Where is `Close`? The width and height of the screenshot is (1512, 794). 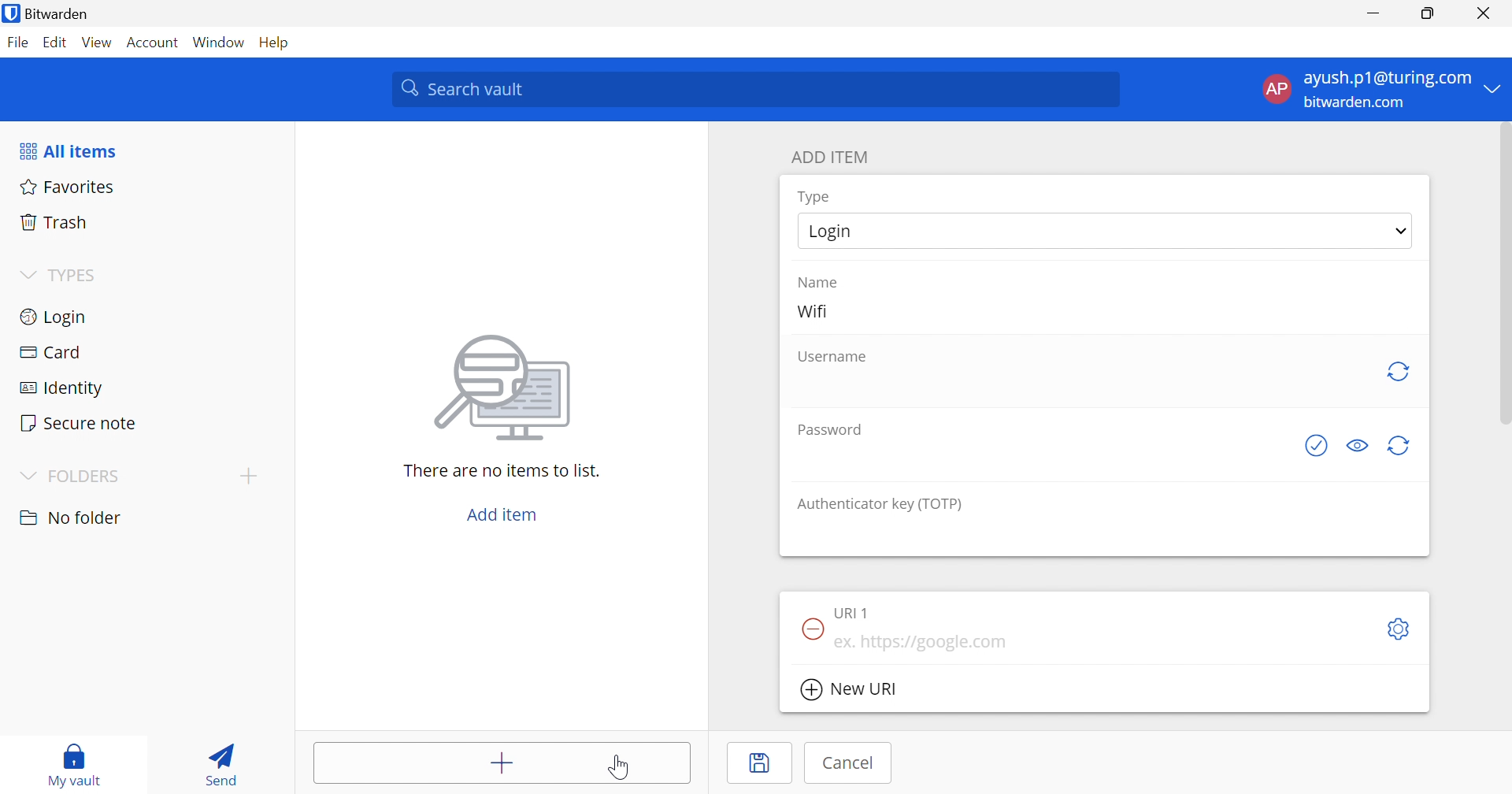 Close is located at coordinates (1487, 13).